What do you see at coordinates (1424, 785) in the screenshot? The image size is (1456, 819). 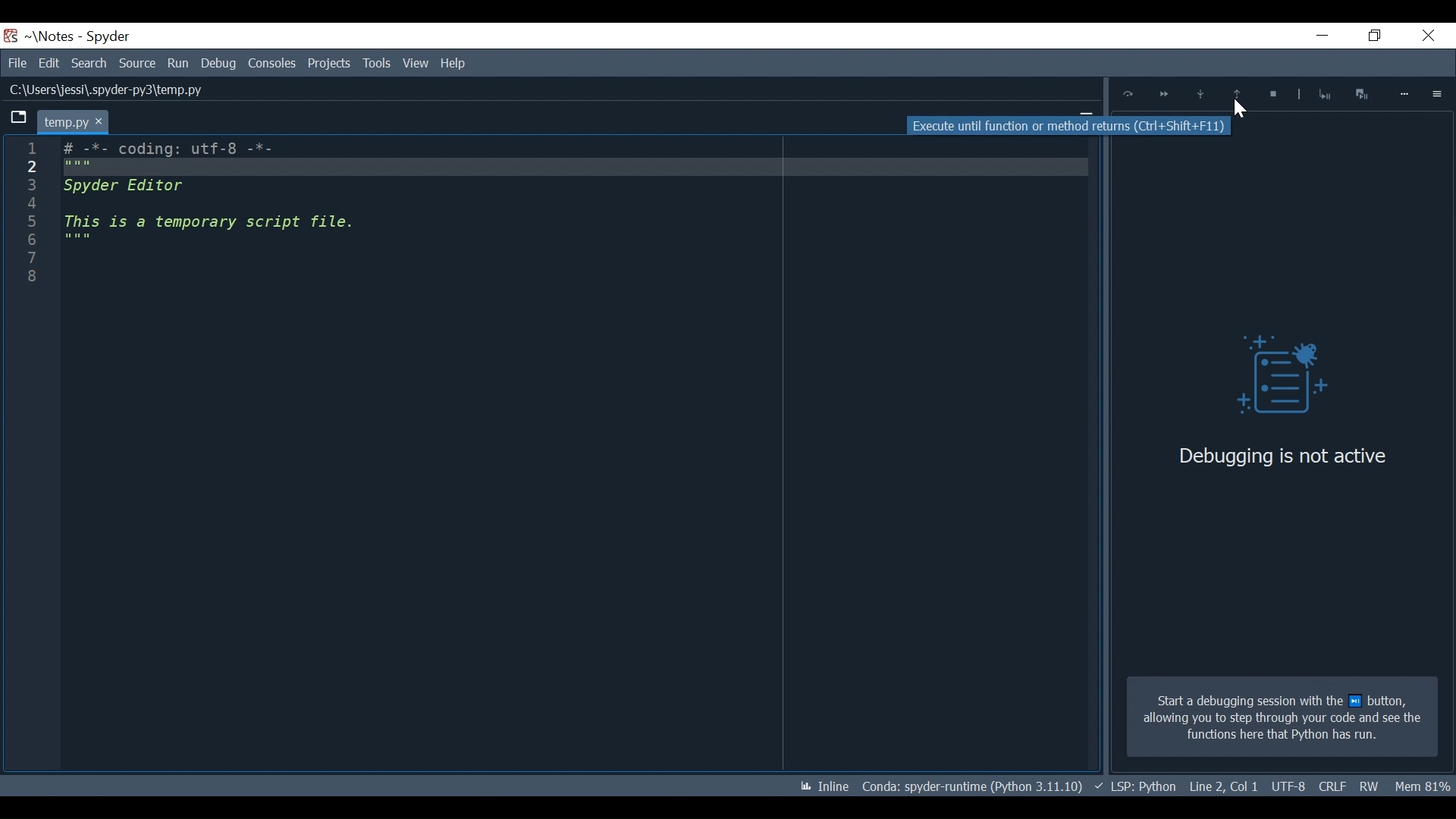 I see `Memory Usage` at bounding box center [1424, 785].